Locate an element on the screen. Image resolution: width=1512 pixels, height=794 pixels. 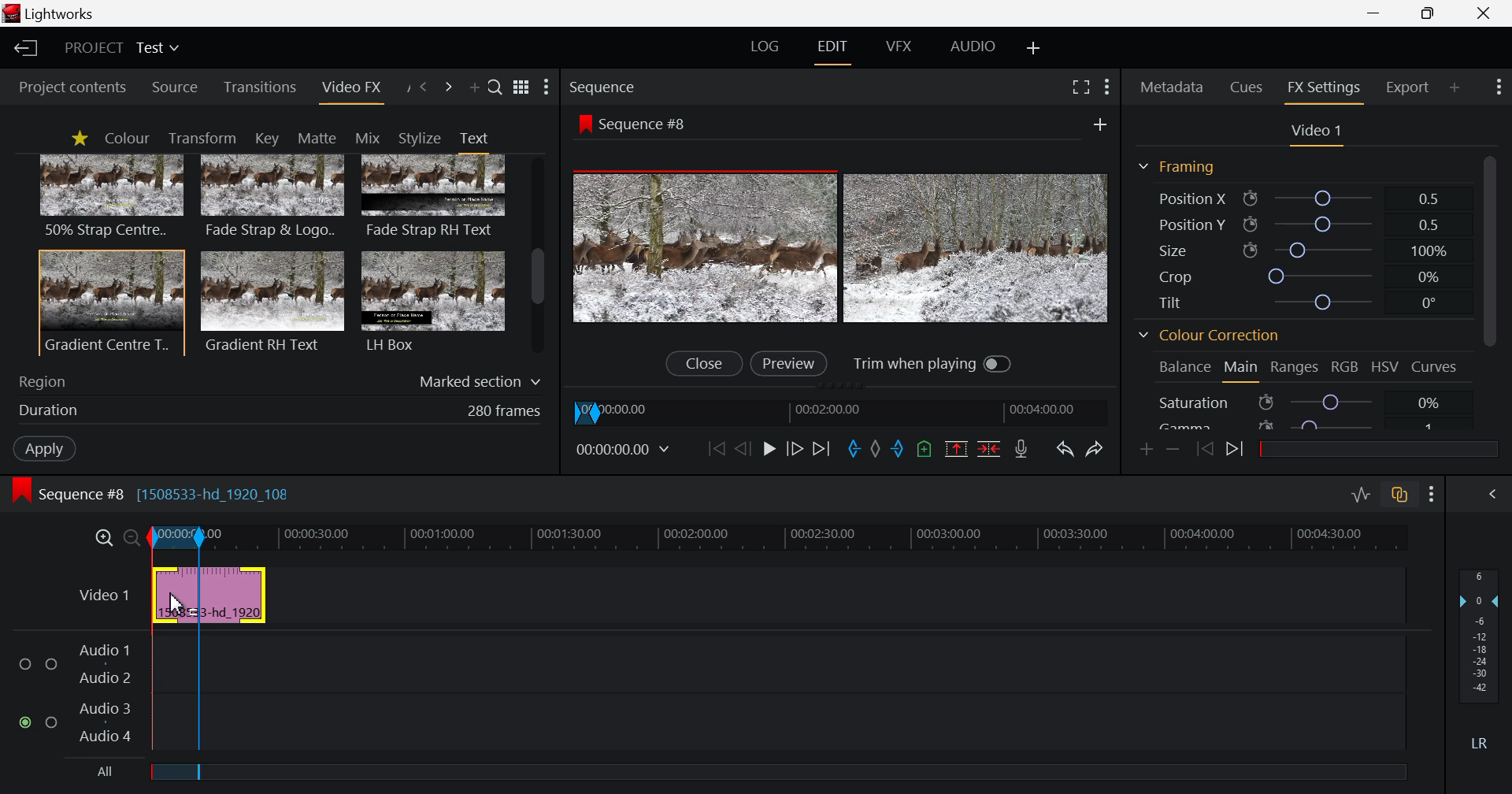
Transform is located at coordinates (206, 139).